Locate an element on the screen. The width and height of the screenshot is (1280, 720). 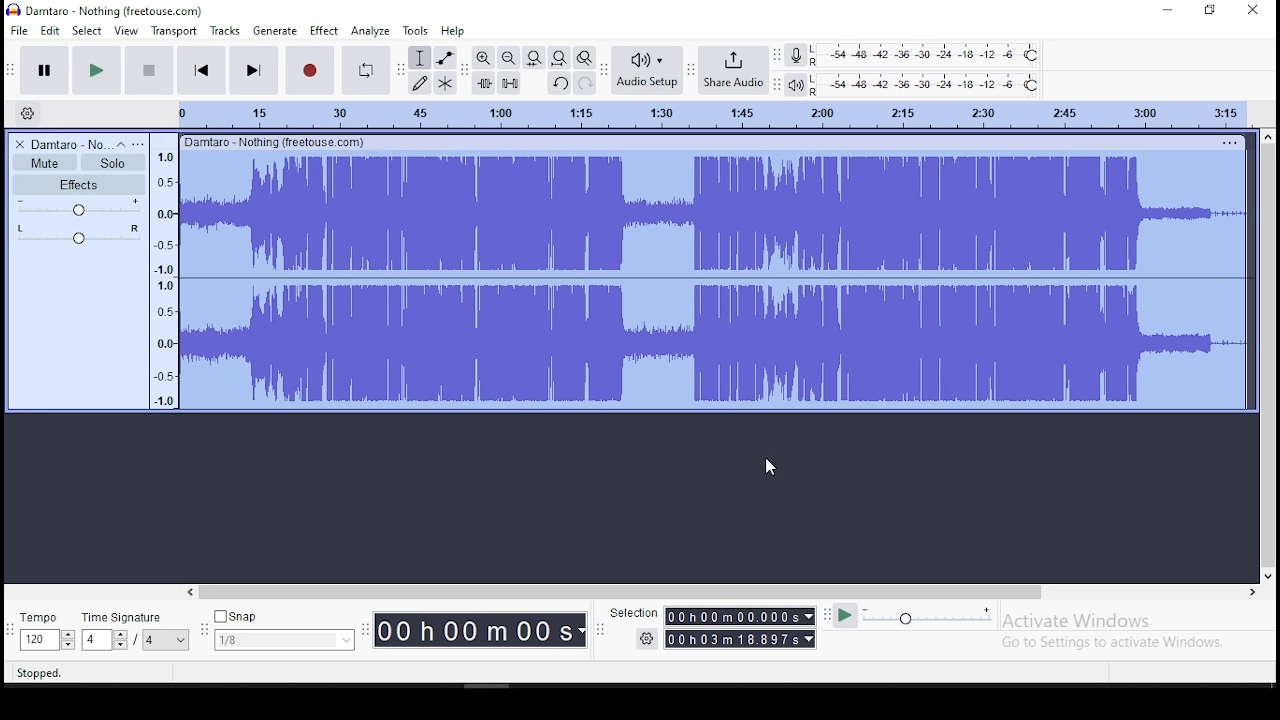
stopped is located at coordinates (39, 673).